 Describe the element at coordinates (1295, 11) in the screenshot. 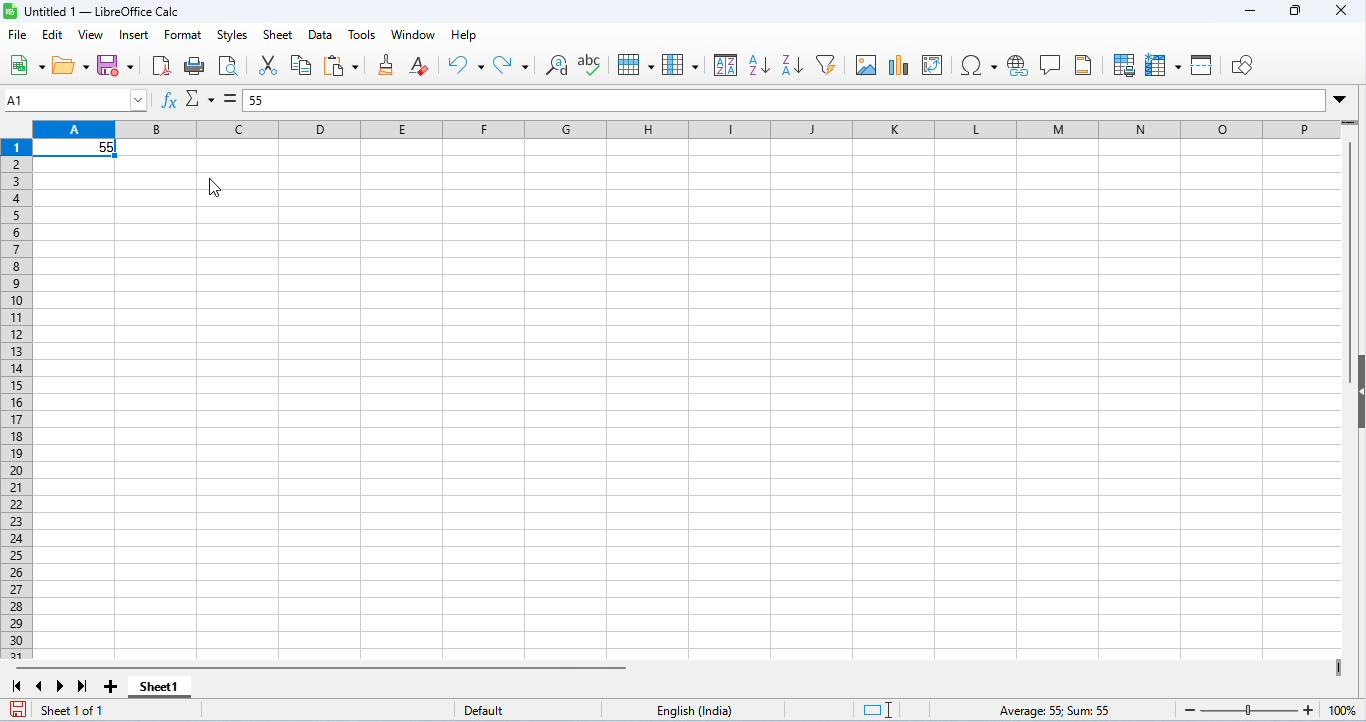

I see `maximize` at that location.